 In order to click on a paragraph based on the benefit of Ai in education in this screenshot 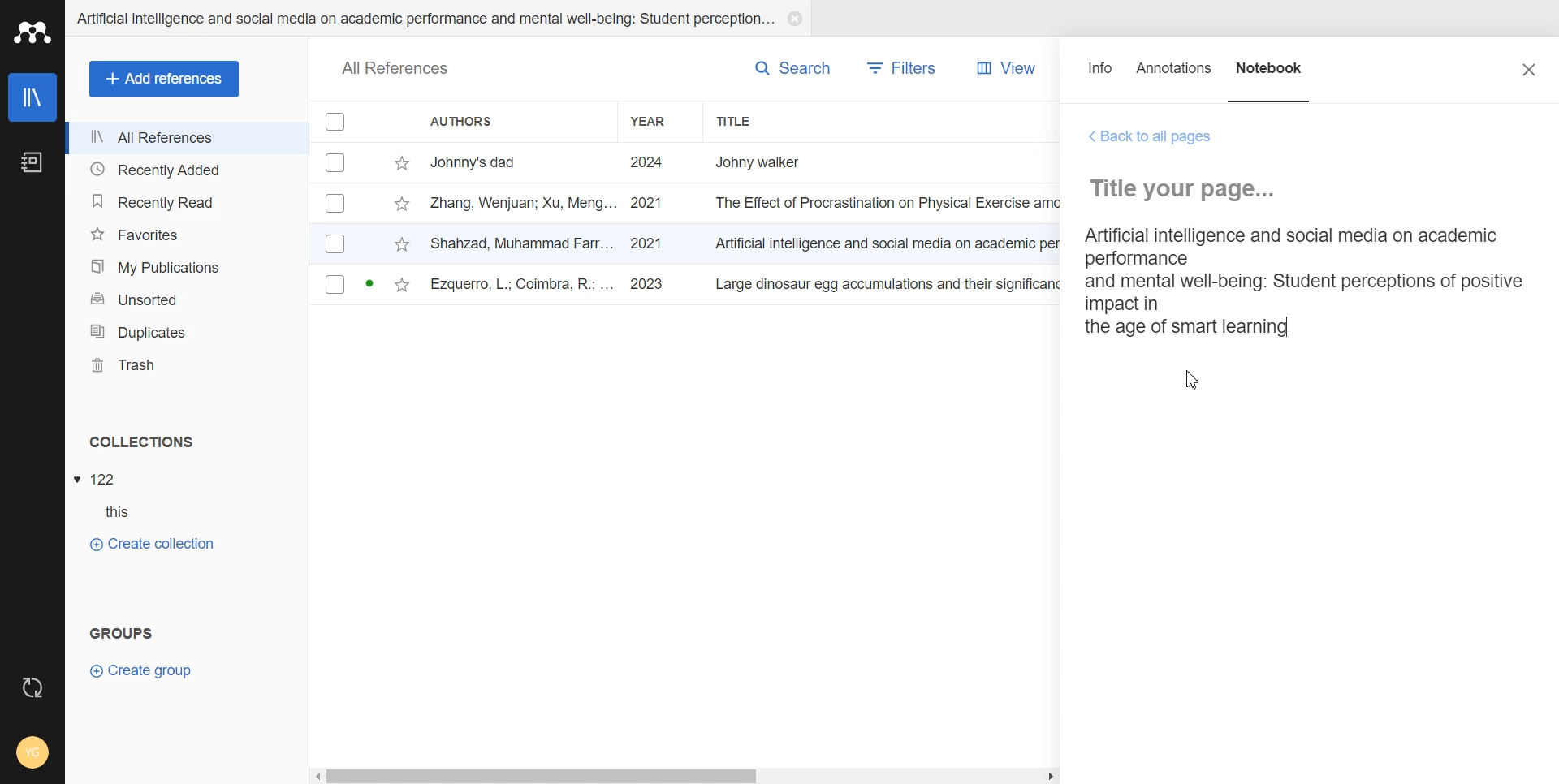, I will do `click(1299, 282)`.